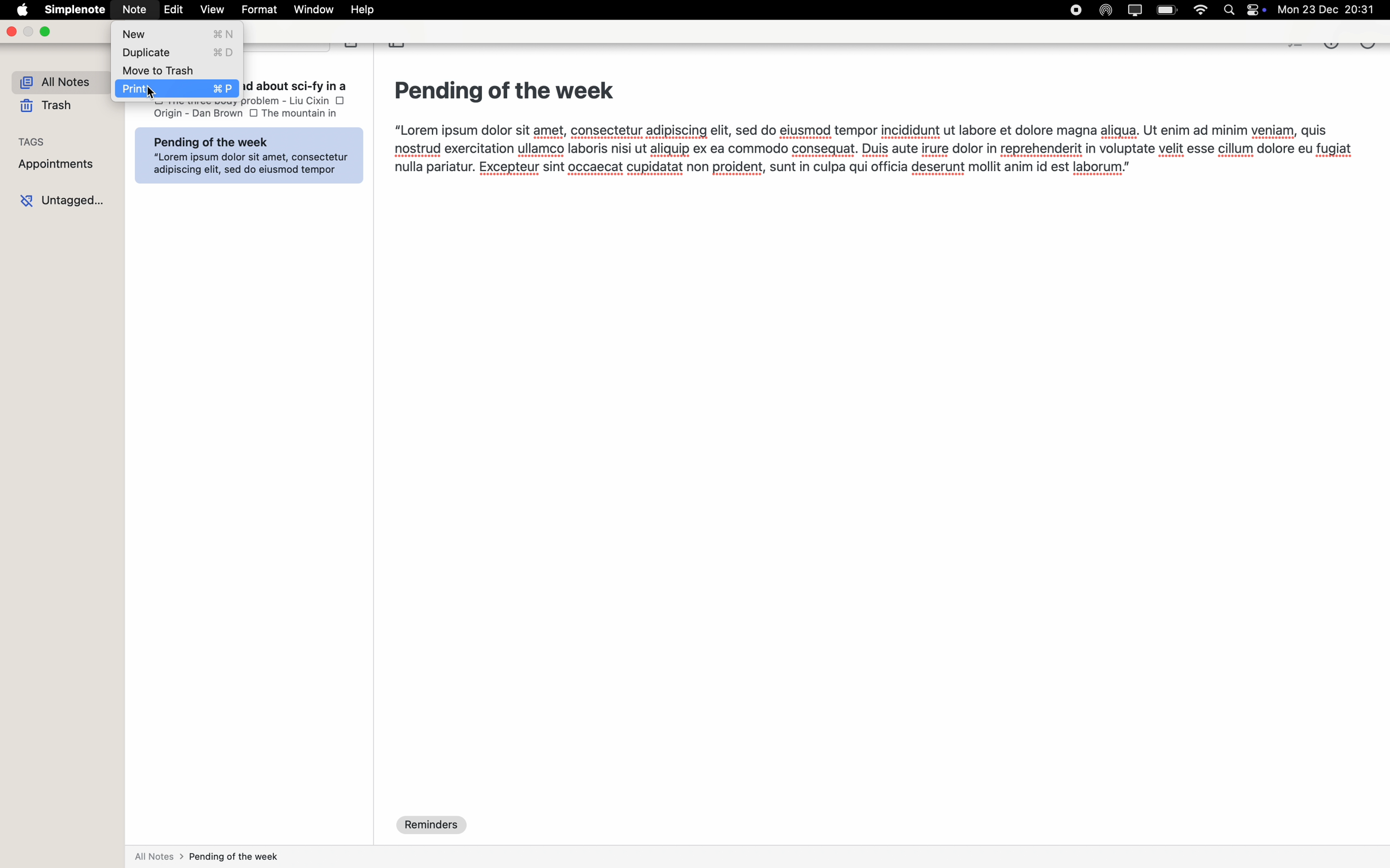 The image size is (1390, 868). Describe the element at coordinates (175, 10) in the screenshot. I see `edit` at that location.